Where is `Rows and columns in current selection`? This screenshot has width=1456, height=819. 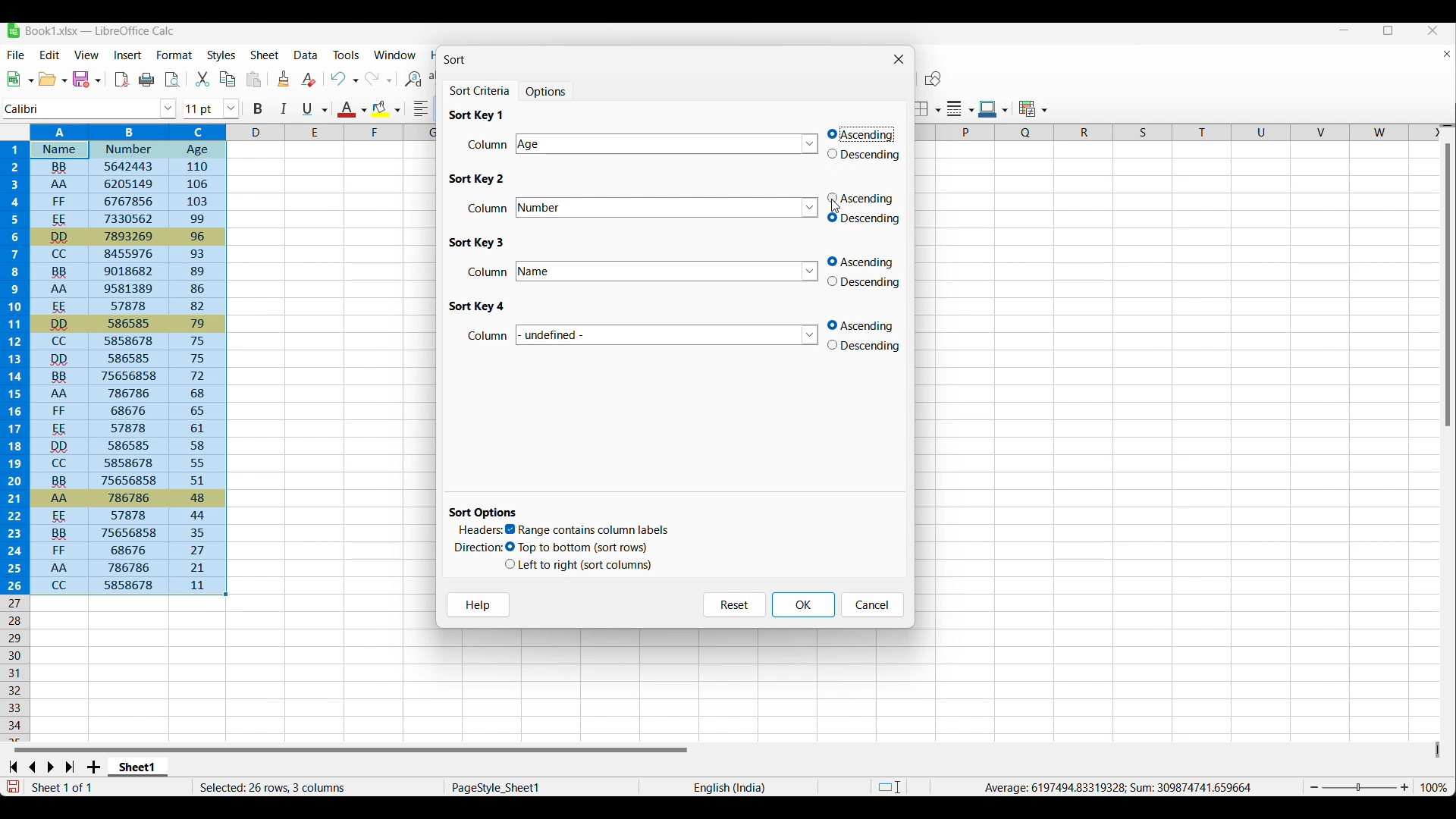
Rows and columns in current selection is located at coordinates (317, 787).